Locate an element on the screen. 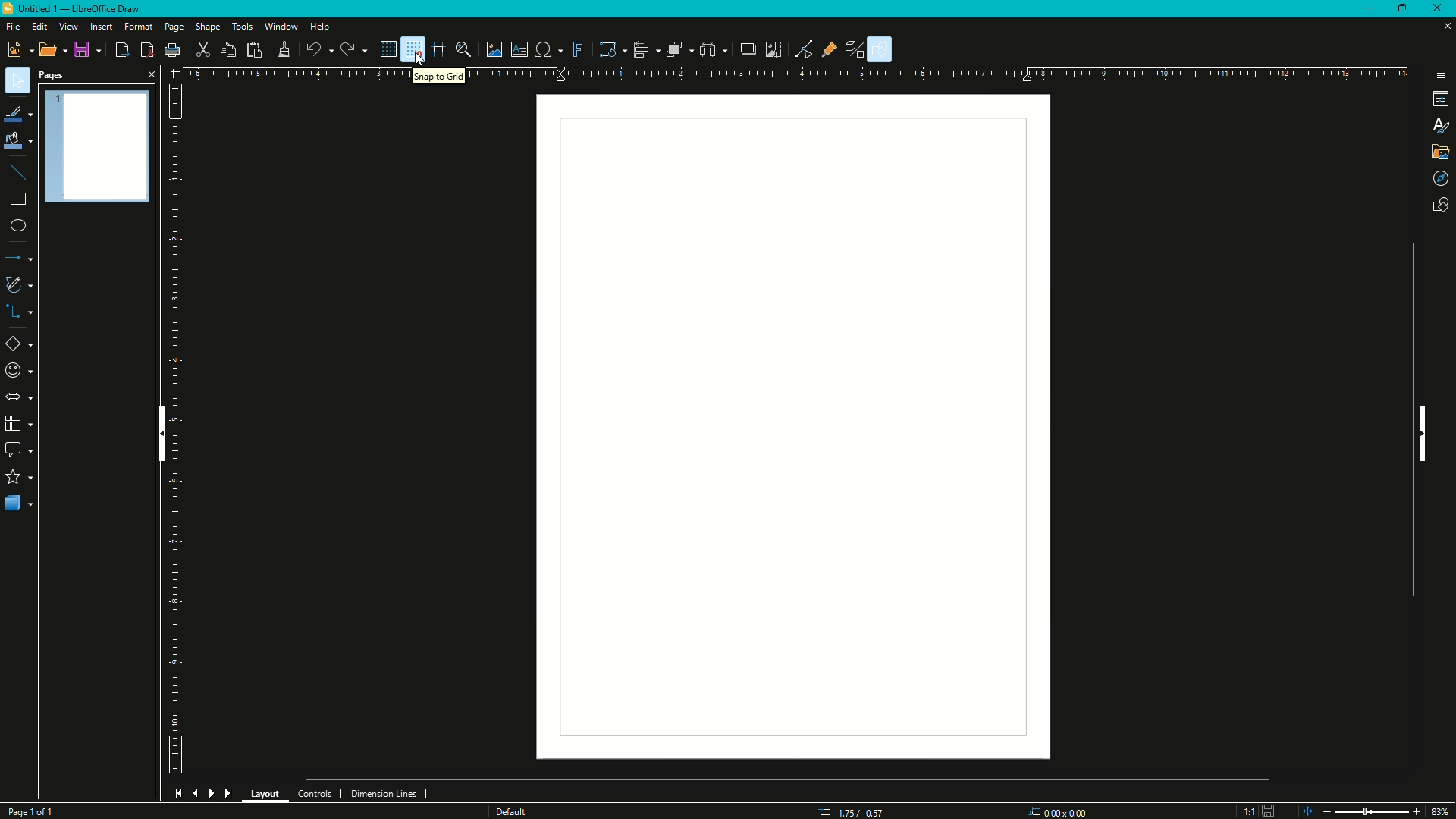  Fill Color is located at coordinates (23, 142).